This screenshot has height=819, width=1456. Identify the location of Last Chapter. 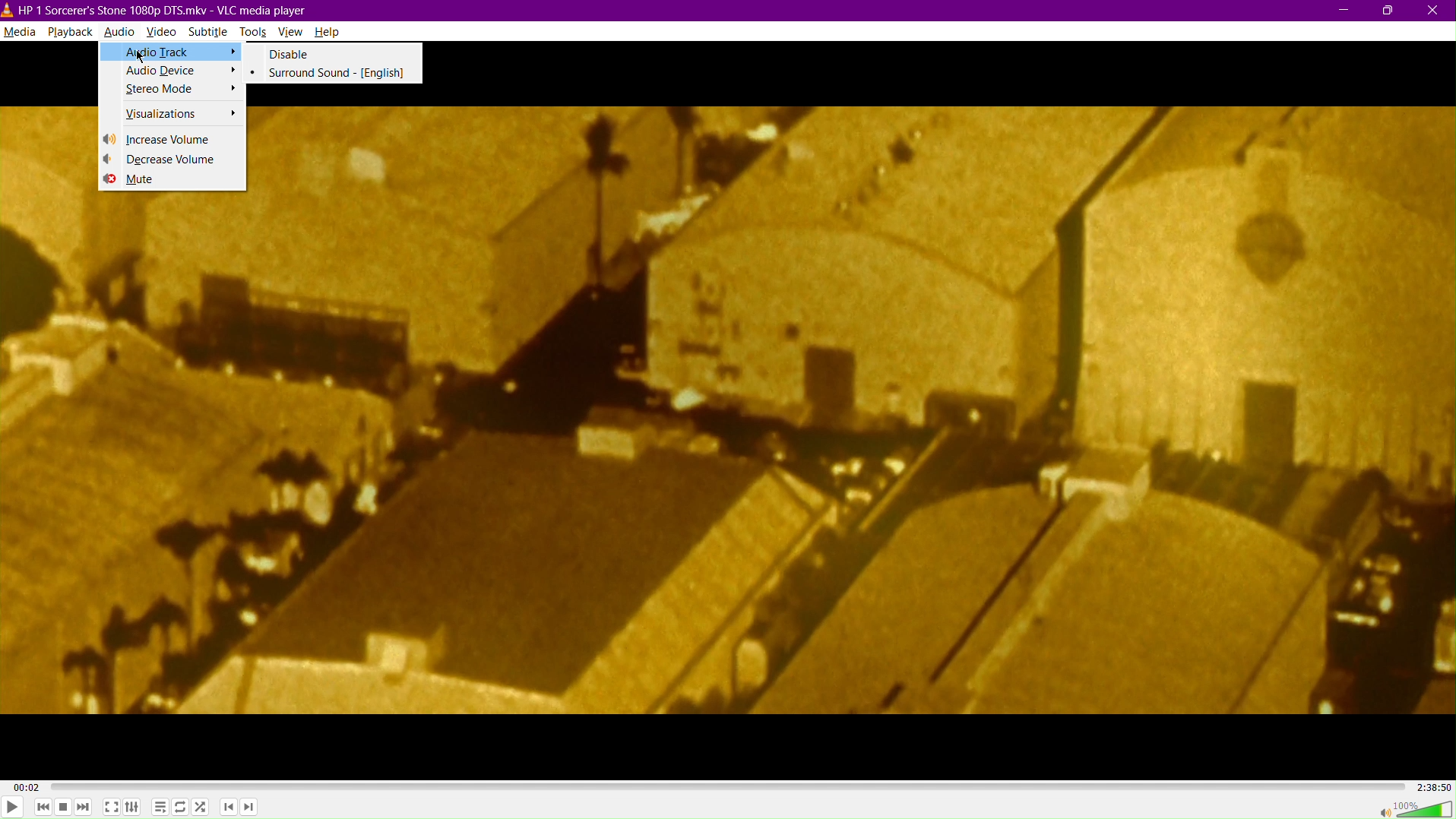
(229, 809).